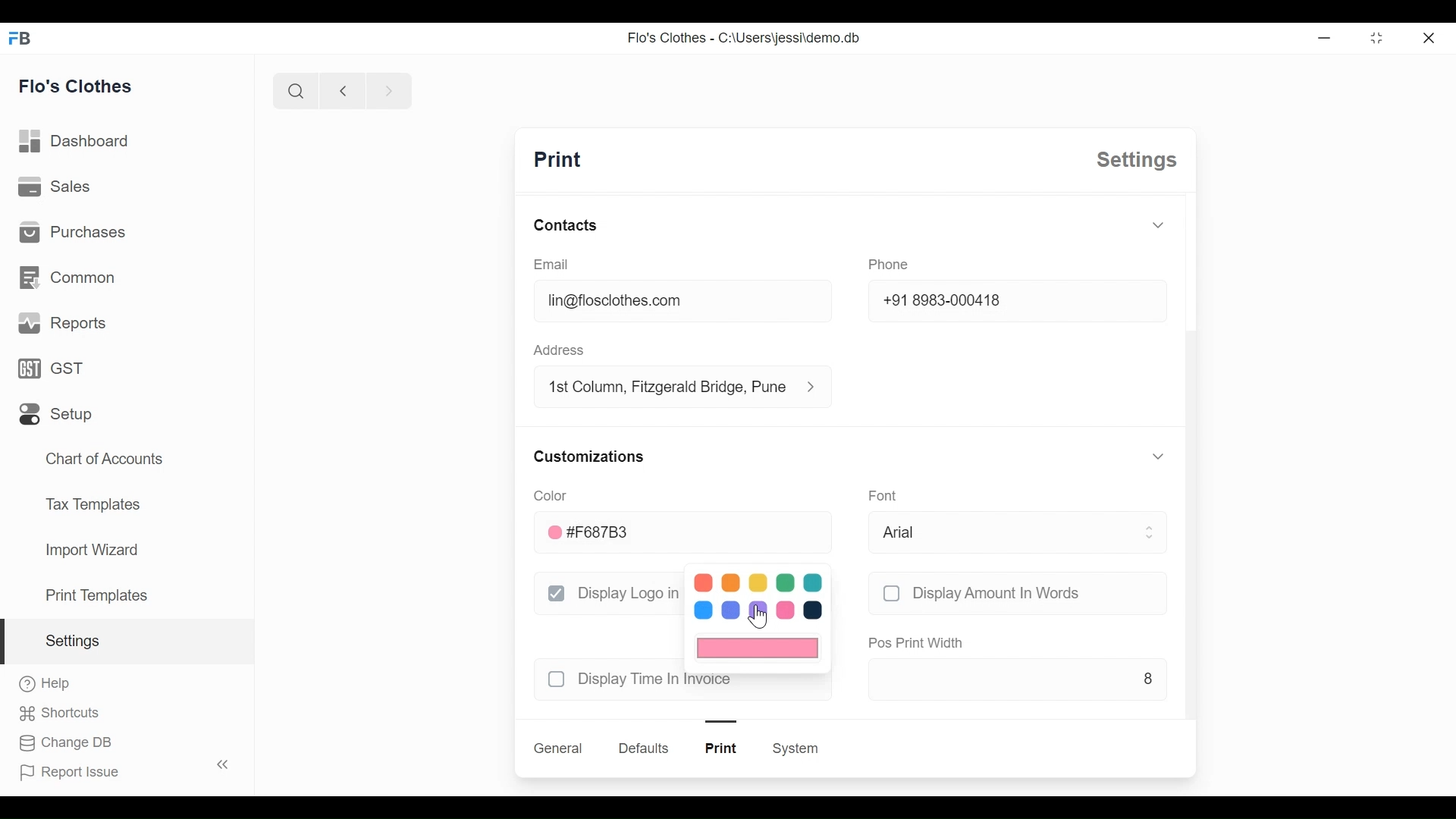 This screenshot has width=1456, height=819. I want to click on defaults, so click(645, 748).